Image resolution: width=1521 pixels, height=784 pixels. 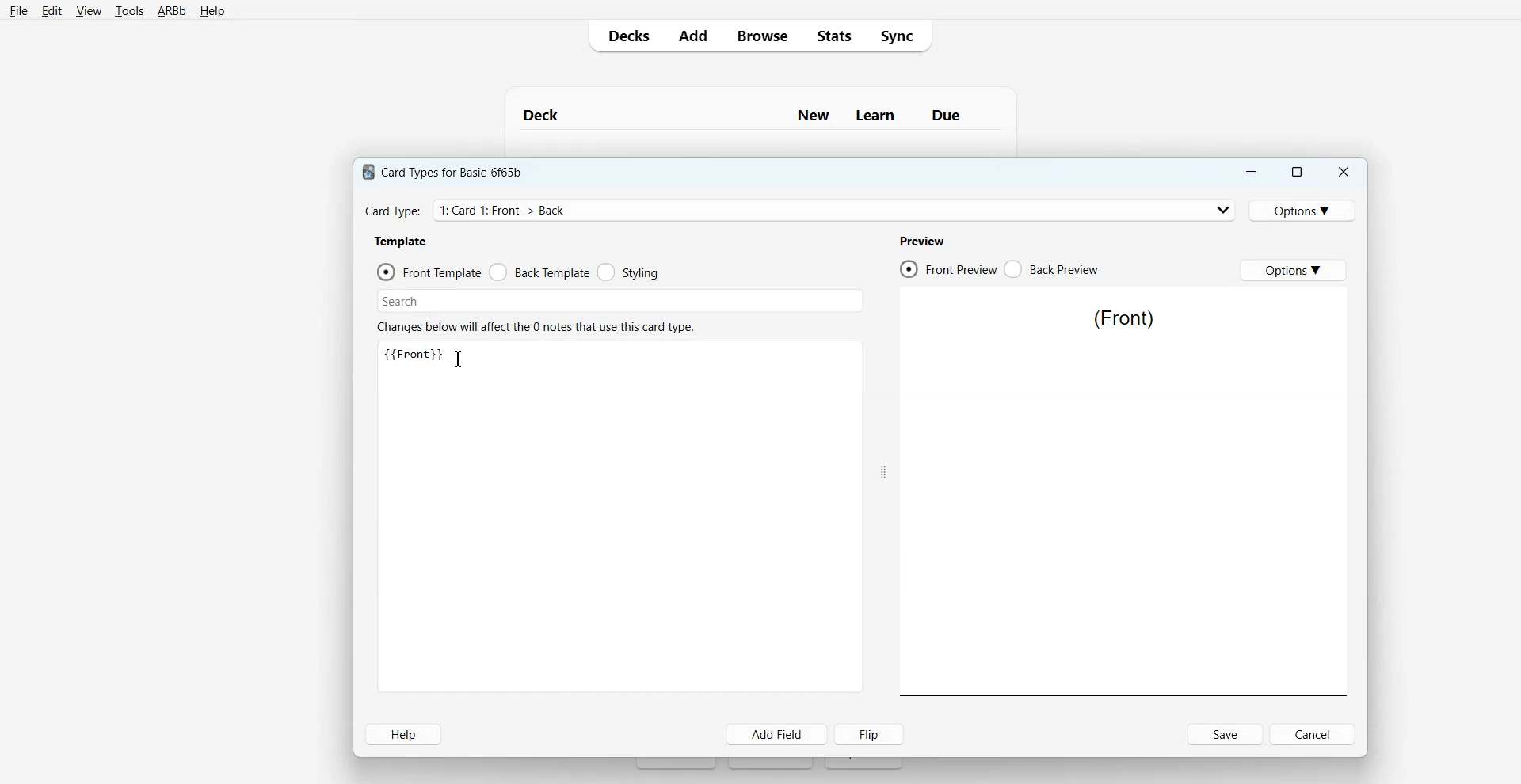 What do you see at coordinates (831, 36) in the screenshot?
I see `Stats` at bounding box center [831, 36].